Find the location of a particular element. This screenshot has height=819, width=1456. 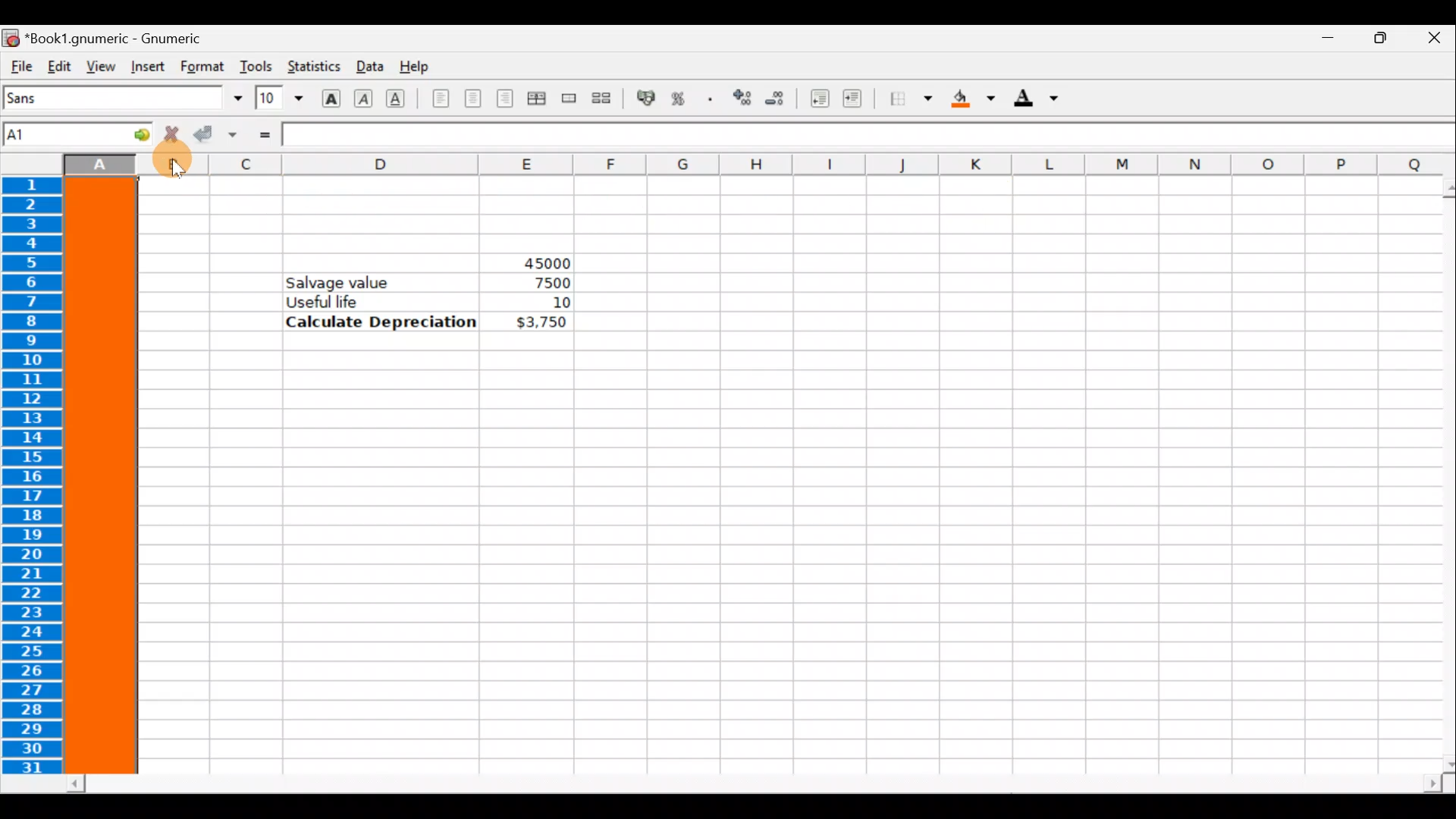

Minimize is located at coordinates (1320, 42).